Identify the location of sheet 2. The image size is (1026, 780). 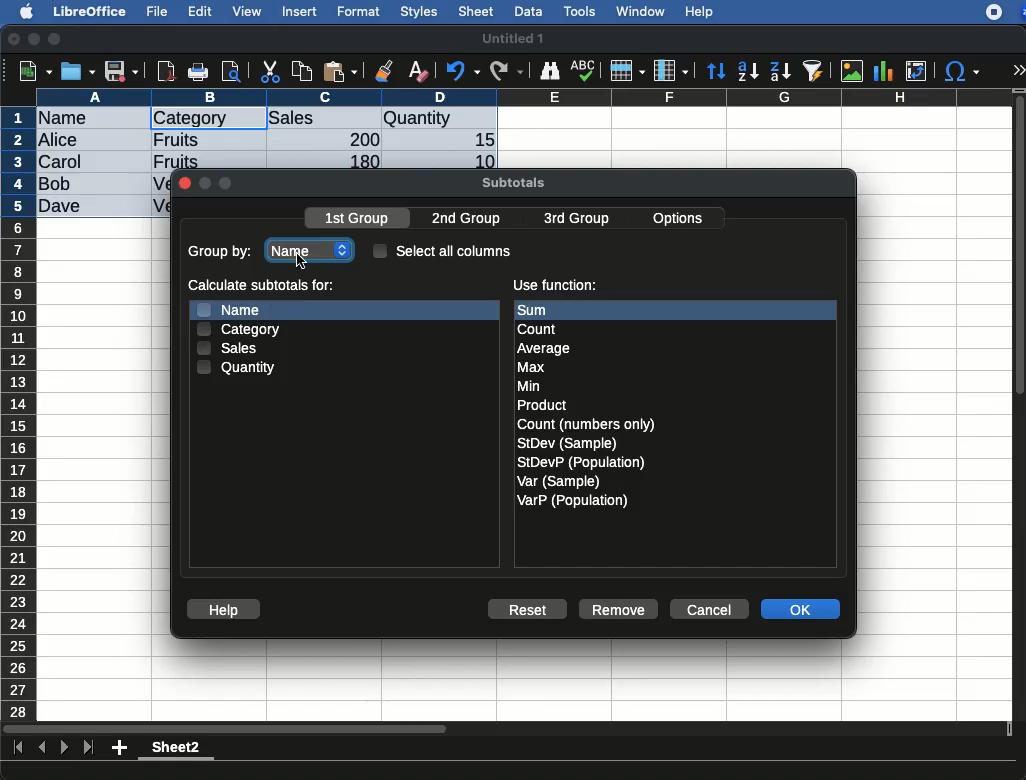
(176, 750).